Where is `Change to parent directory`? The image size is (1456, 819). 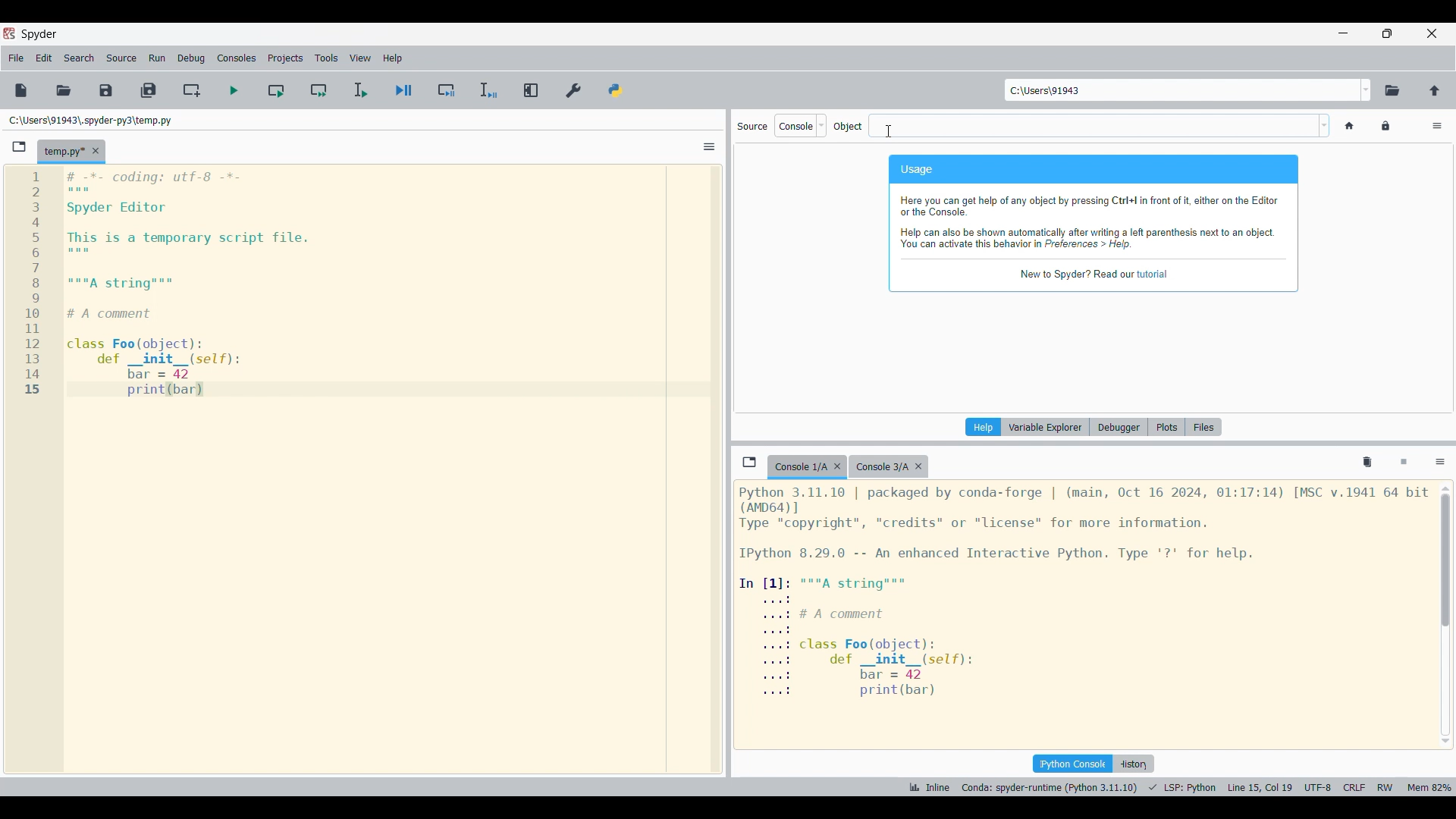
Change to parent directory is located at coordinates (1435, 91).